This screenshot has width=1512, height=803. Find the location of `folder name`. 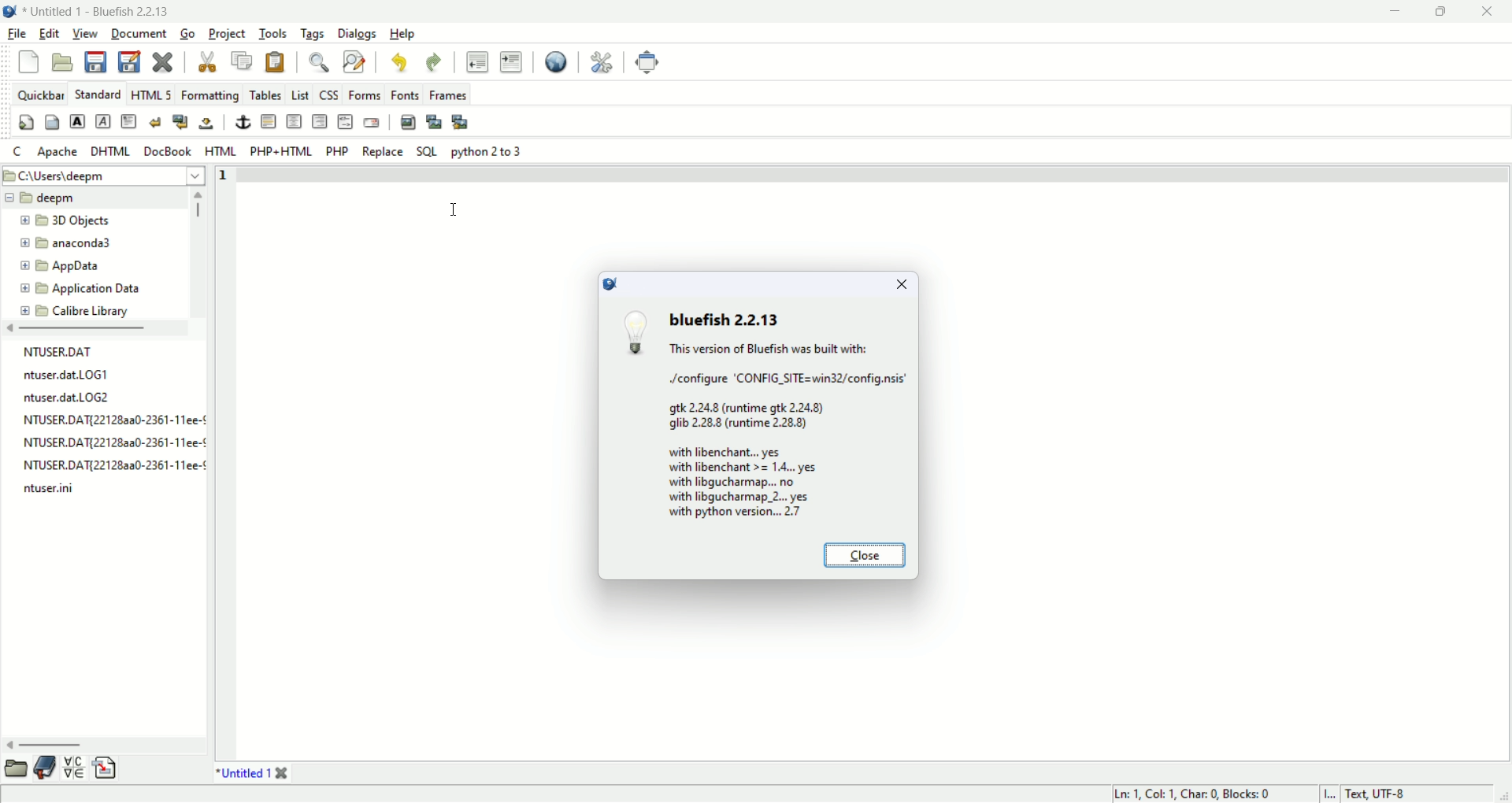

folder name is located at coordinates (61, 267).